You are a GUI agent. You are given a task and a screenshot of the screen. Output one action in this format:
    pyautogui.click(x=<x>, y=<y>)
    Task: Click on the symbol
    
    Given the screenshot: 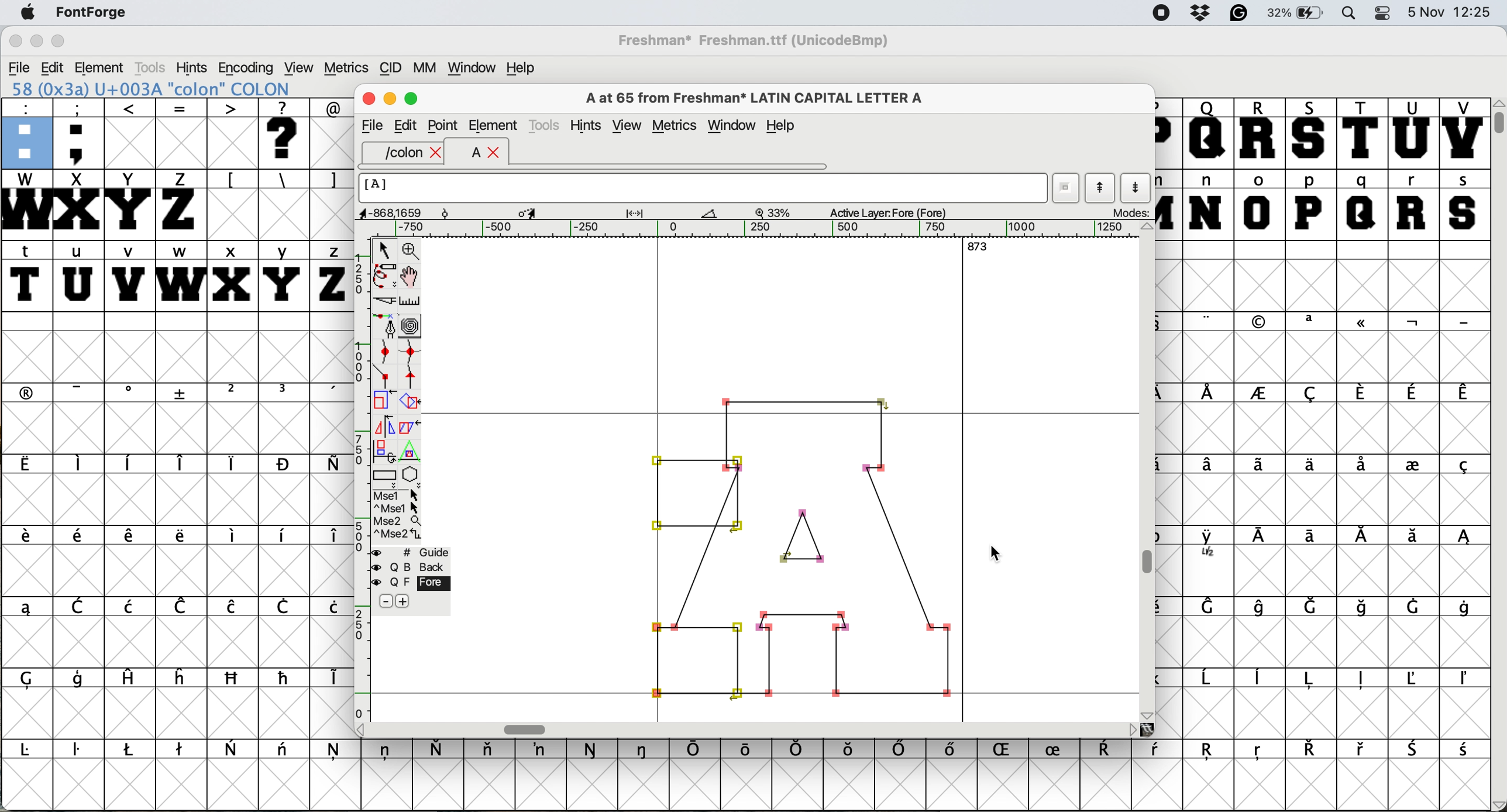 What is the action you would take?
    pyautogui.click(x=1307, y=464)
    